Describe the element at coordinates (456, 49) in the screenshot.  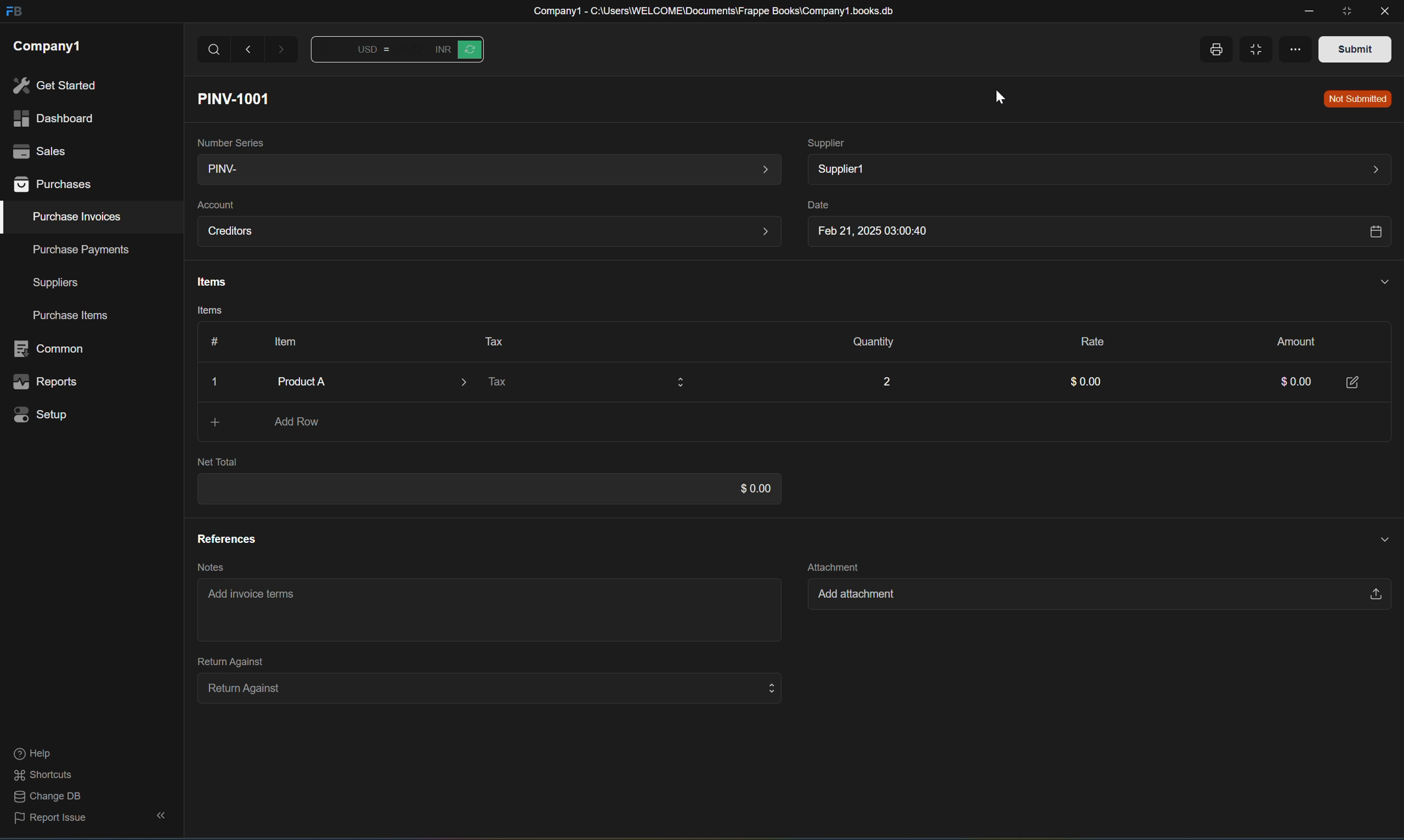
I see `Button` at that location.